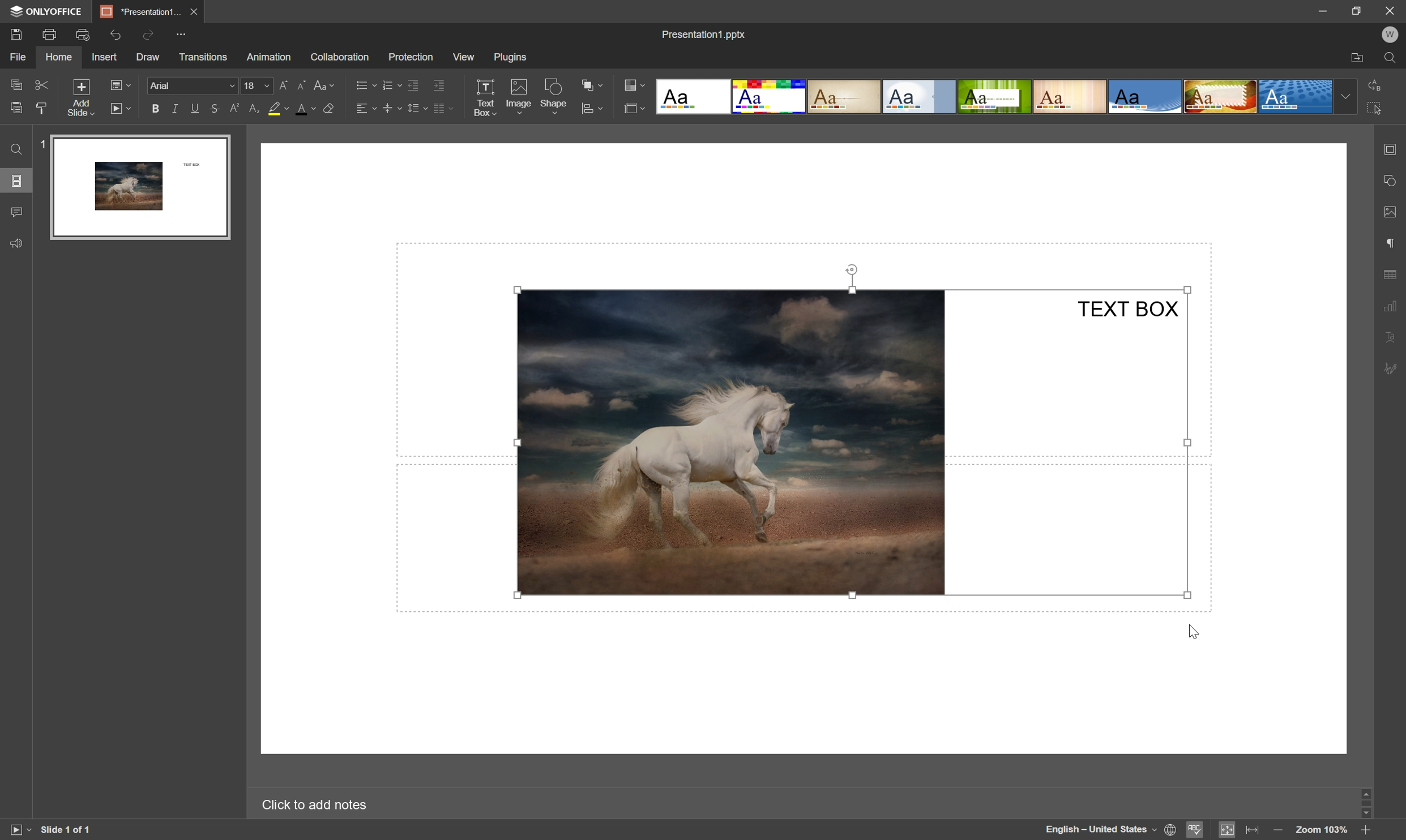  What do you see at coordinates (1070, 96) in the screenshot?
I see `Lines` at bounding box center [1070, 96].